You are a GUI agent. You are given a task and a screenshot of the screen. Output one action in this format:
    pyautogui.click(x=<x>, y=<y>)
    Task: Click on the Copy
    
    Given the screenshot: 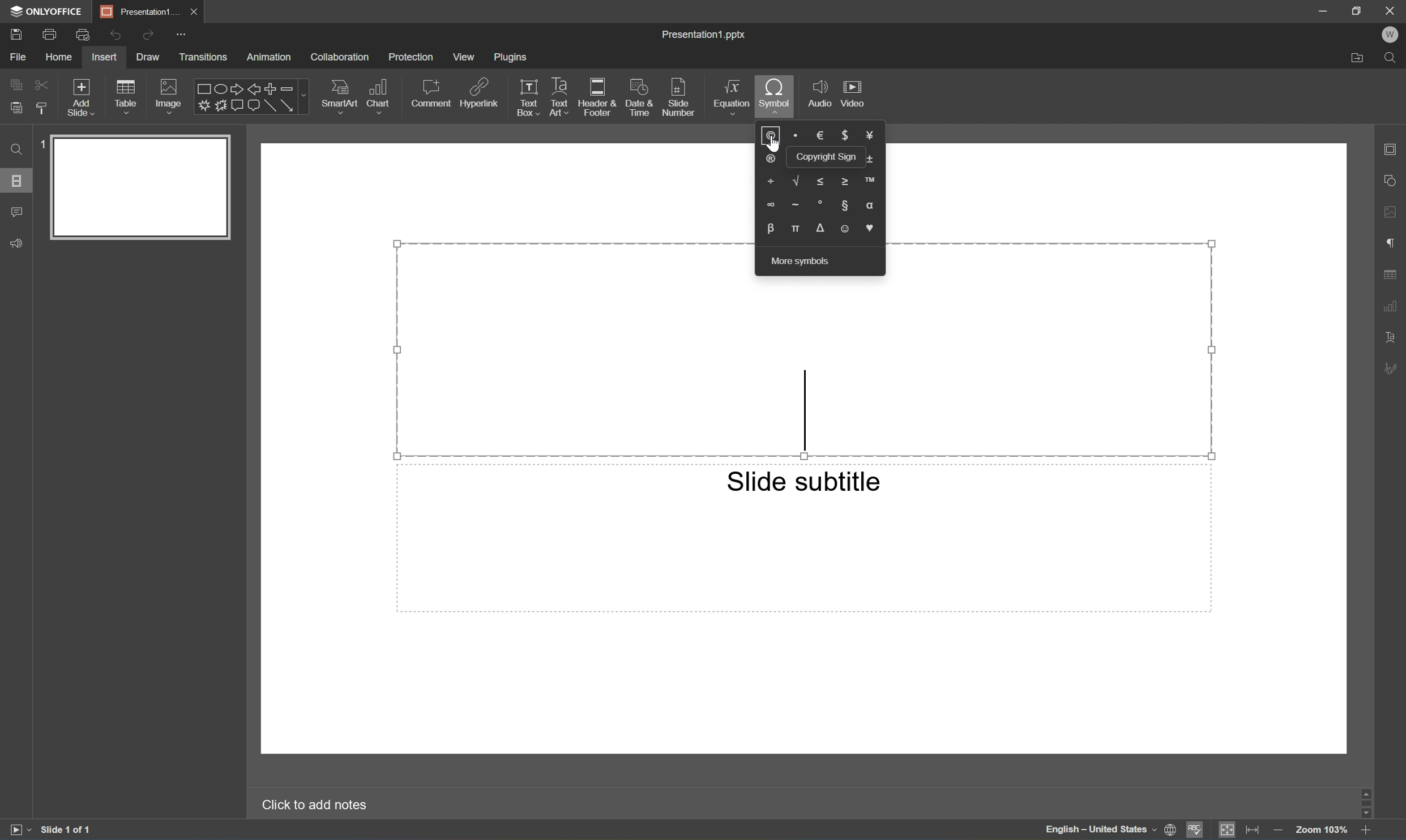 What is the action you would take?
    pyautogui.click(x=13, y=83)
    